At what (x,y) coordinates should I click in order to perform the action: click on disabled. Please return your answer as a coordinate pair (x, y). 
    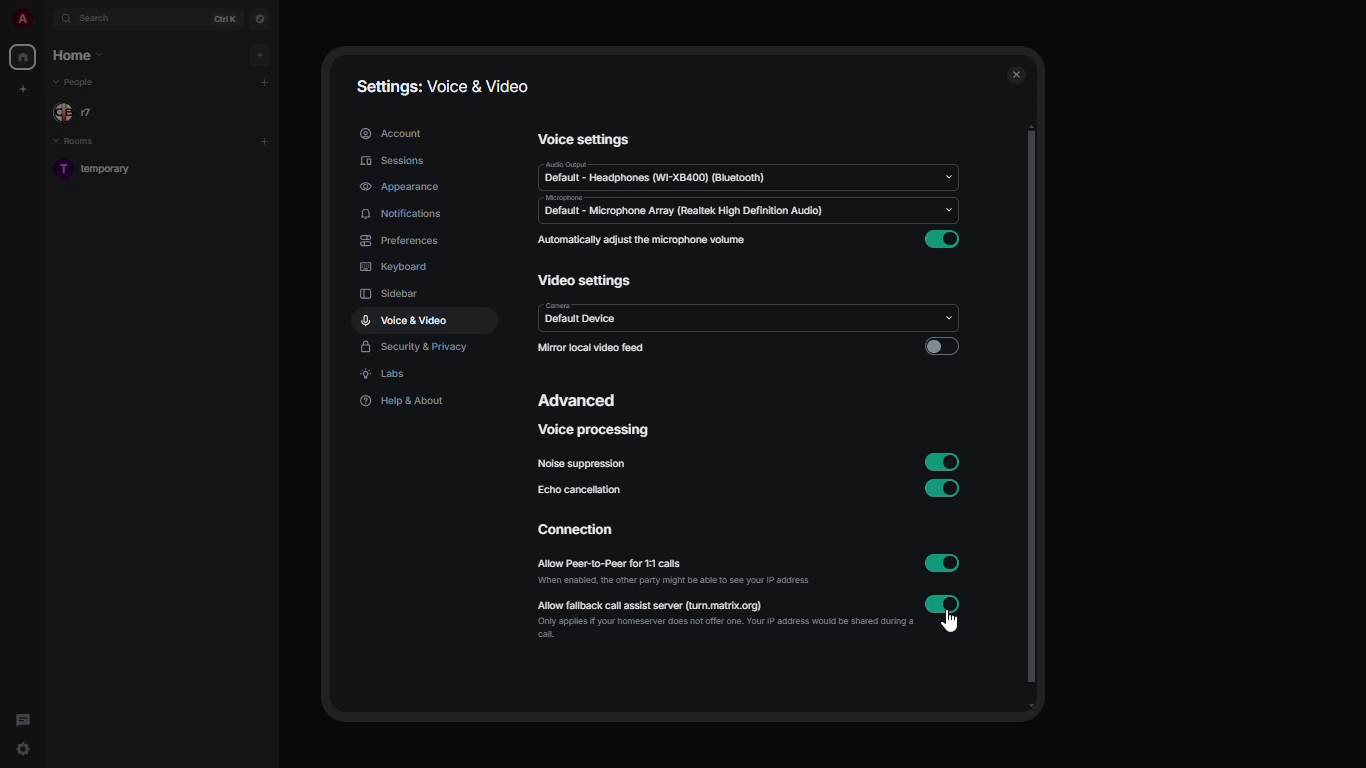
    Looking at the image, I should click on (944, 347).